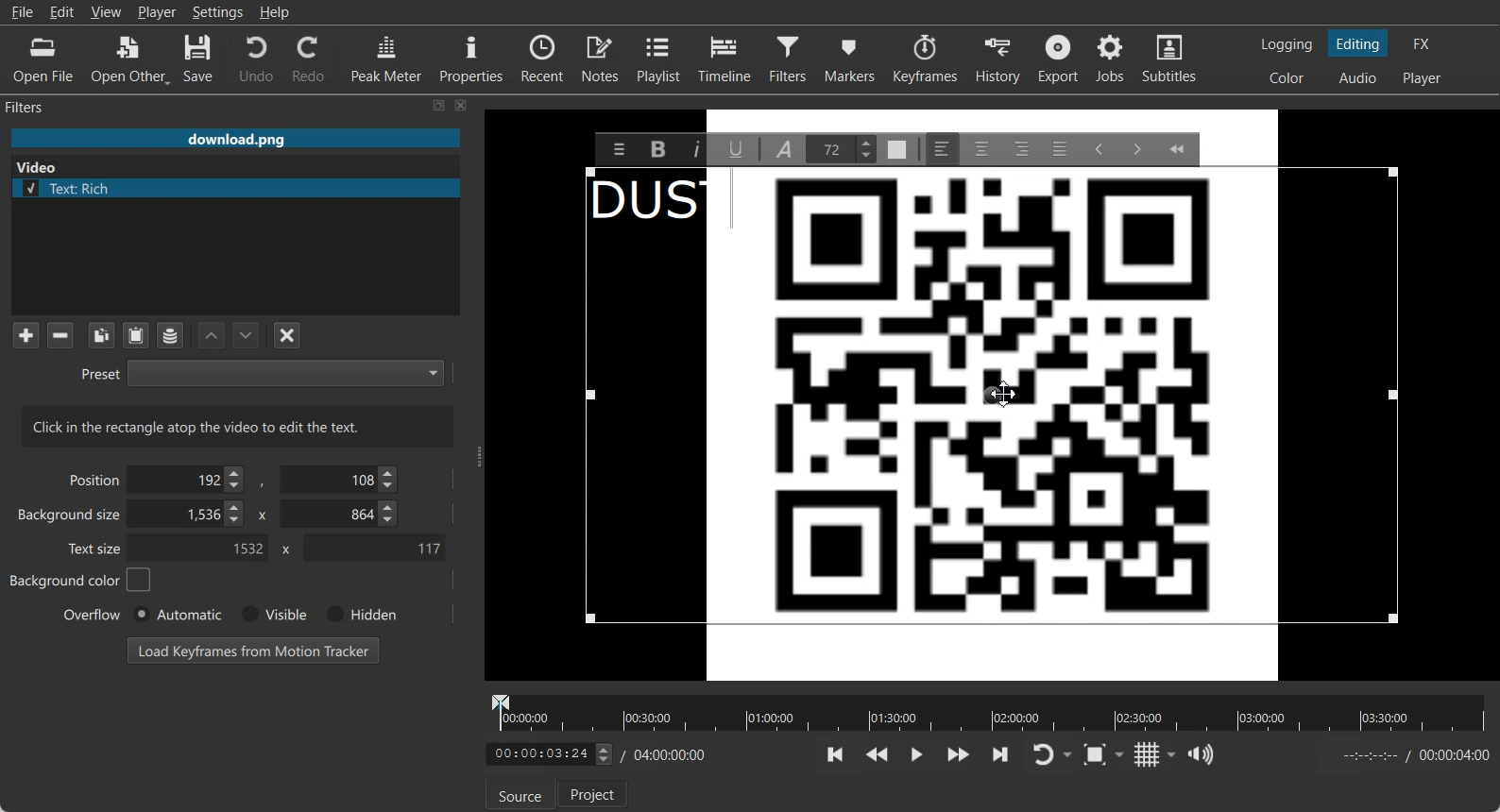 This screenshot has height=812, width=1500. I want to click on Position, so click(91, 479).